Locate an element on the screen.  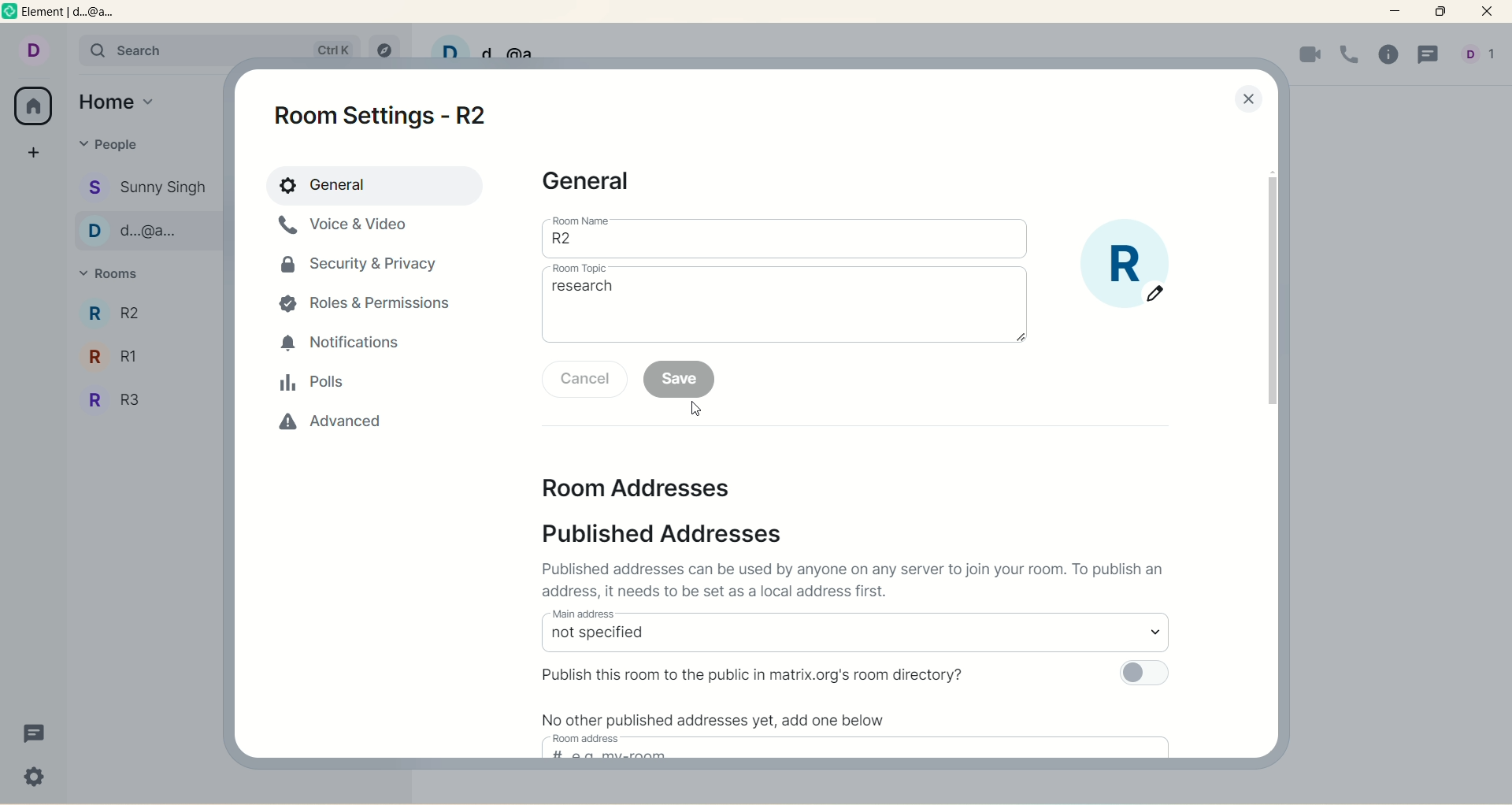
Sunny singh is located at coordinates (148, 187).